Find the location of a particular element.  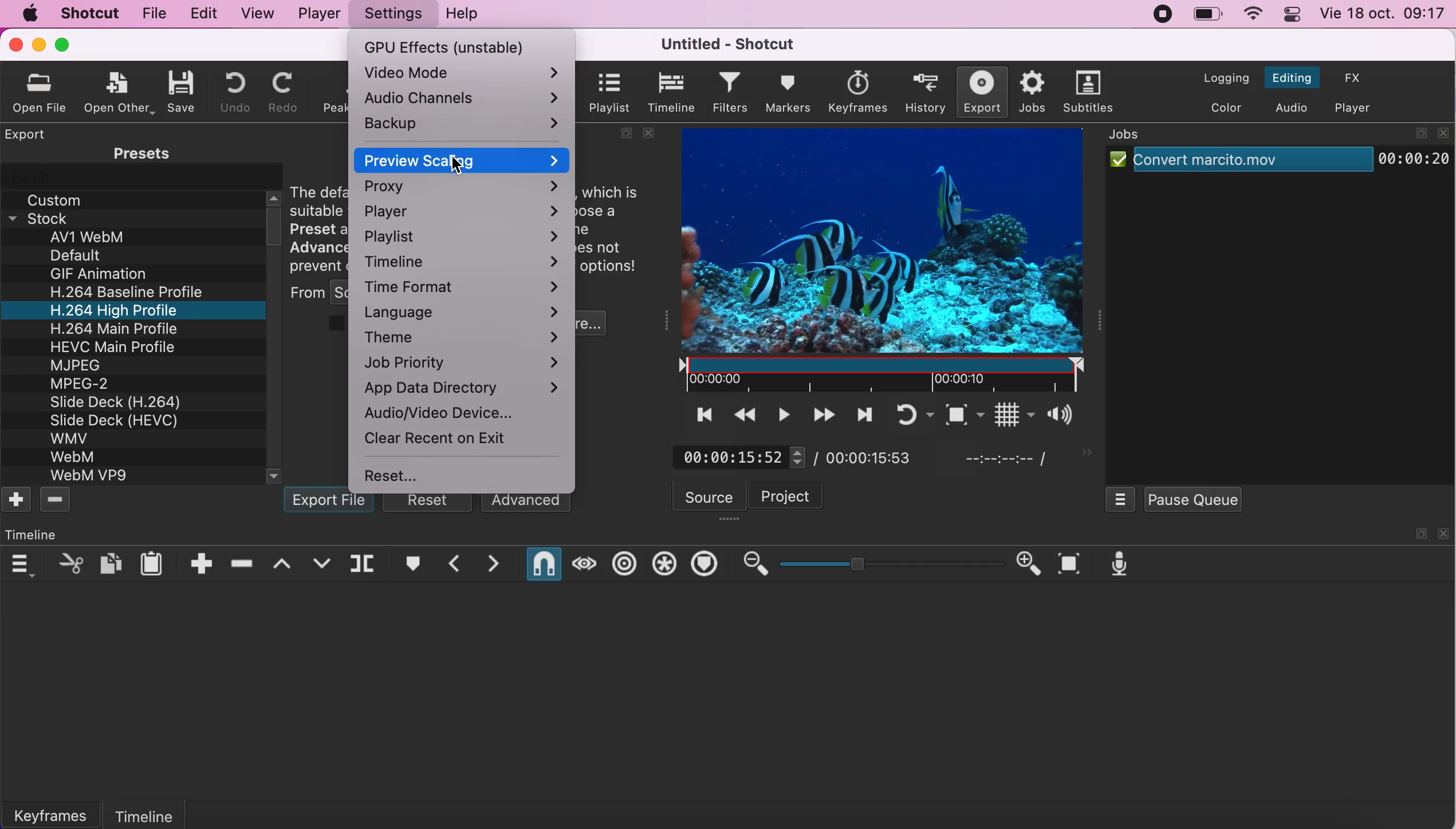

player is located at coordinates (317, 13).